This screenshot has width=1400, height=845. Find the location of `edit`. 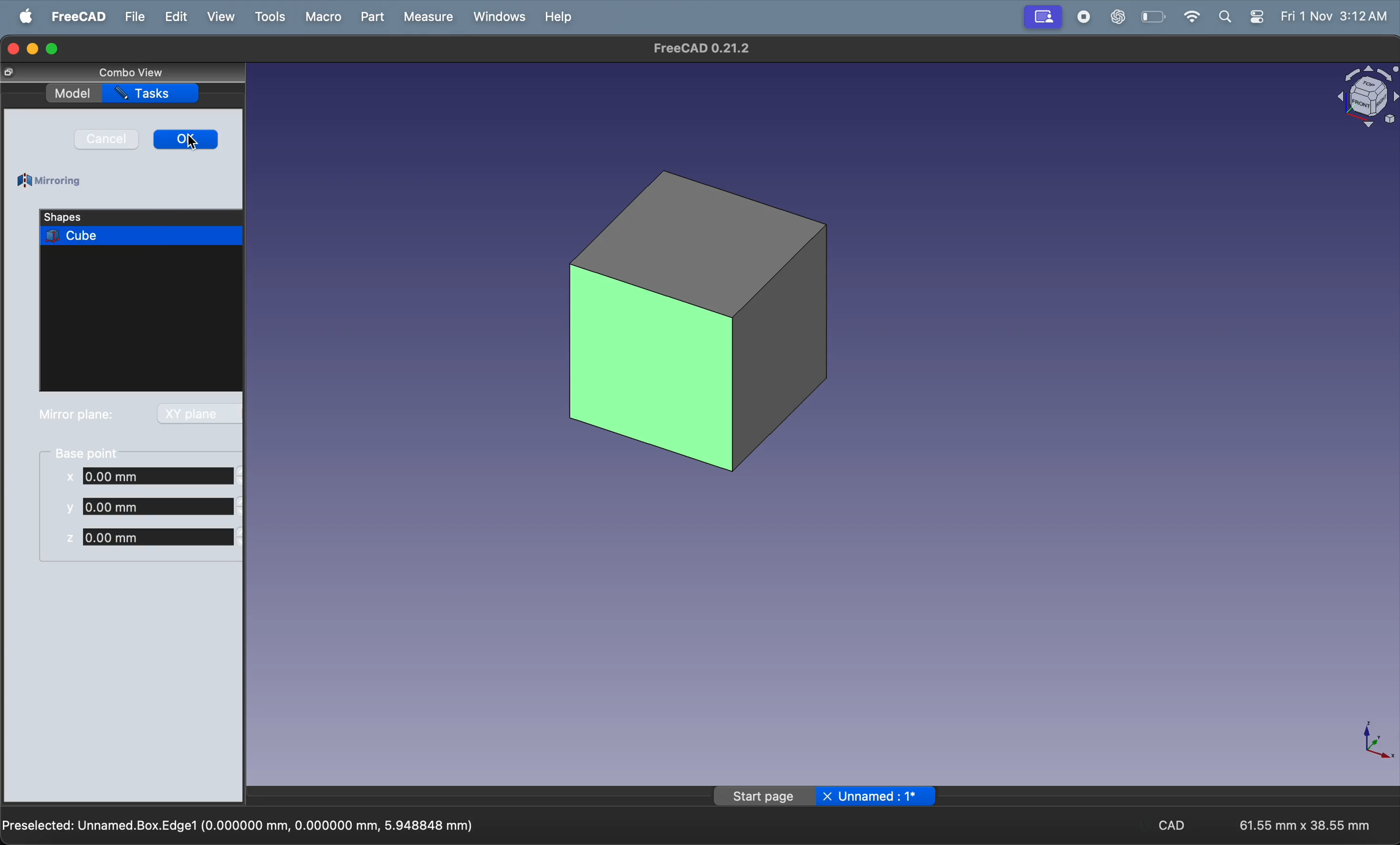

edit is located at coordinates (173, 16).